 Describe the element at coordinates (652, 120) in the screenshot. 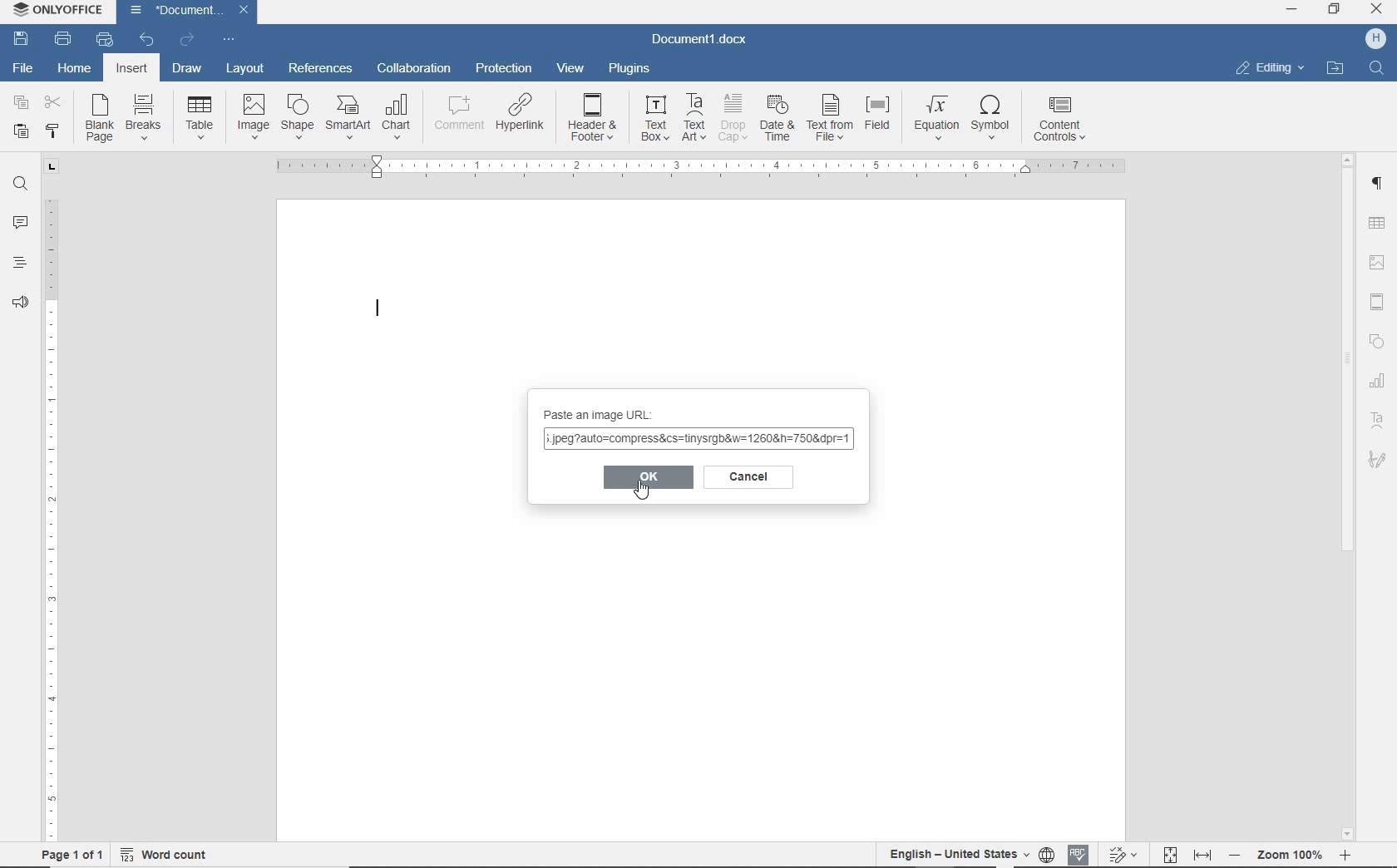

I see `text box` at that location.